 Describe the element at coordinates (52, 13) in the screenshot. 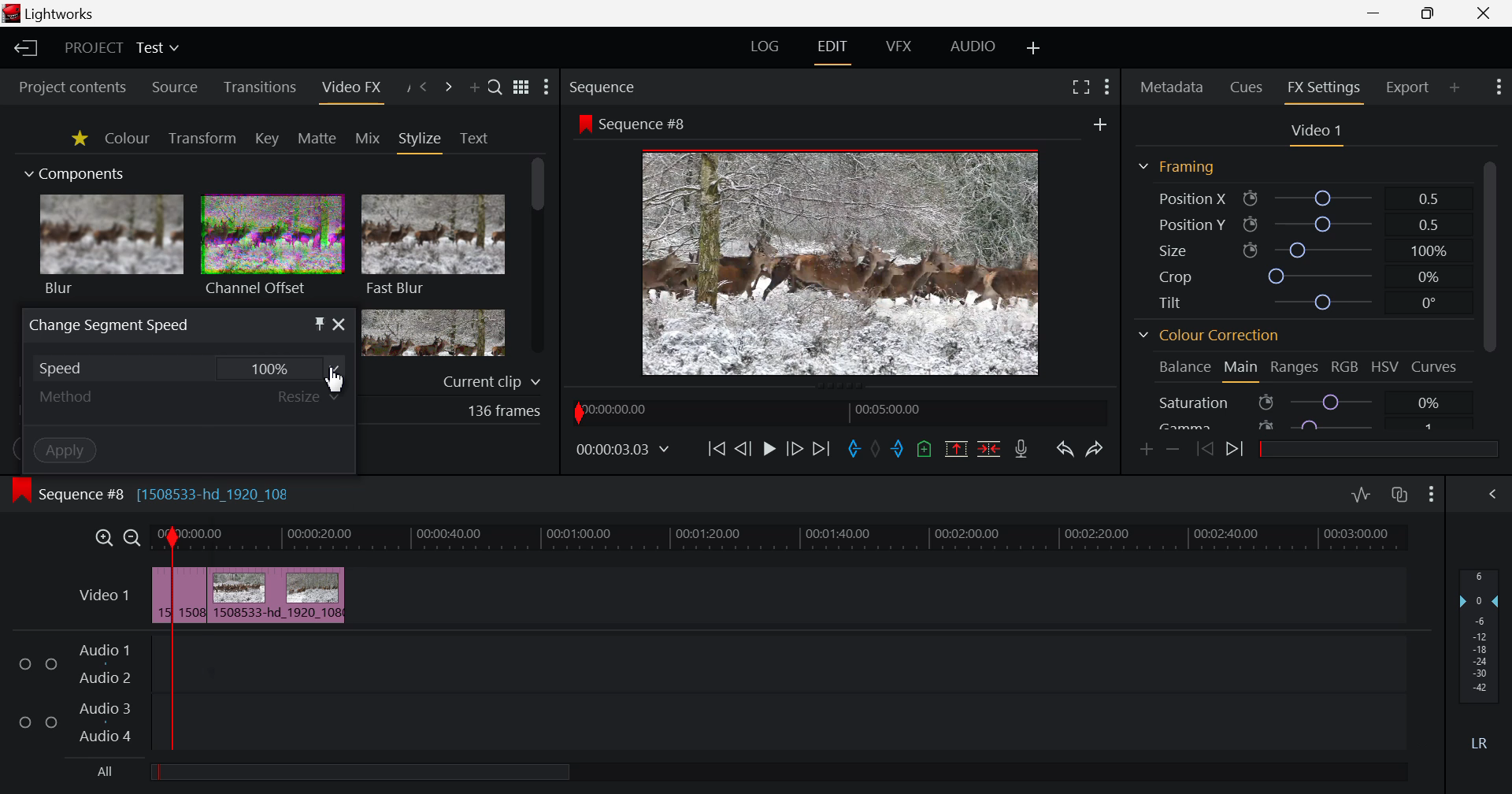

I see `Lightworks` at that location.